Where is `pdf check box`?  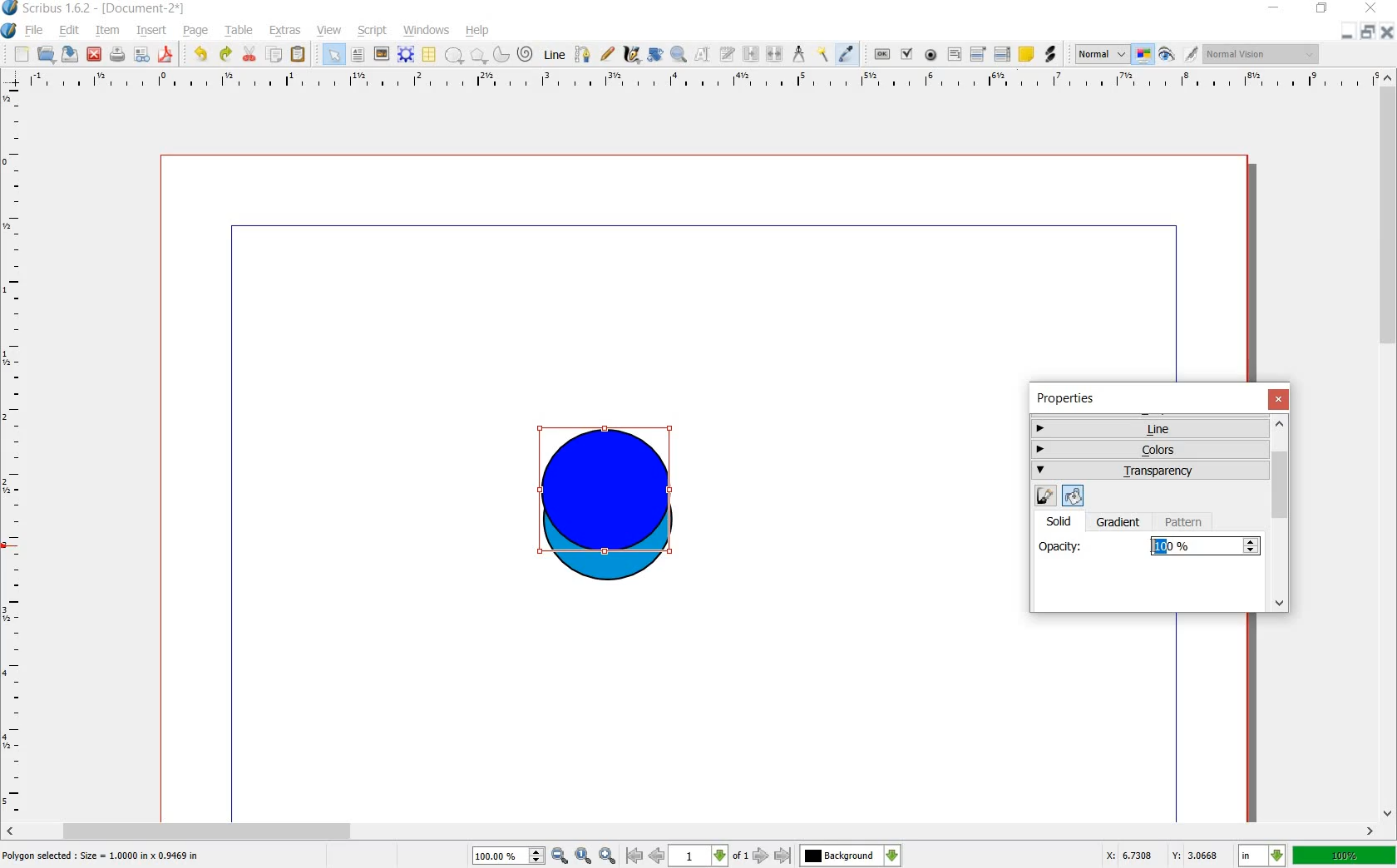 pdf check box is located at coordinates (906, 55).